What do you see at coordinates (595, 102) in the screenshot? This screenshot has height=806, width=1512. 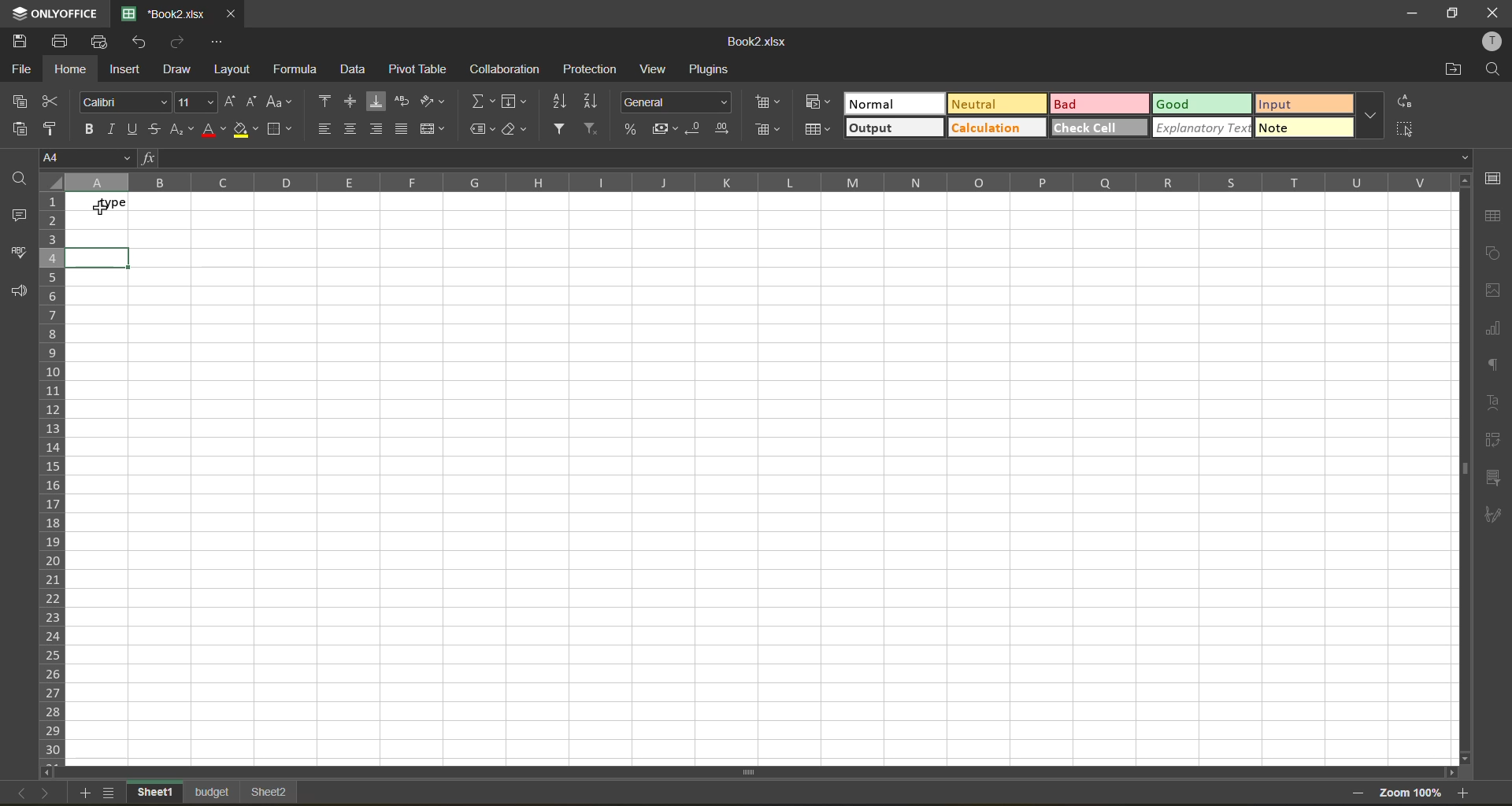 I see `sort descending` at bounding box center [595, 102].